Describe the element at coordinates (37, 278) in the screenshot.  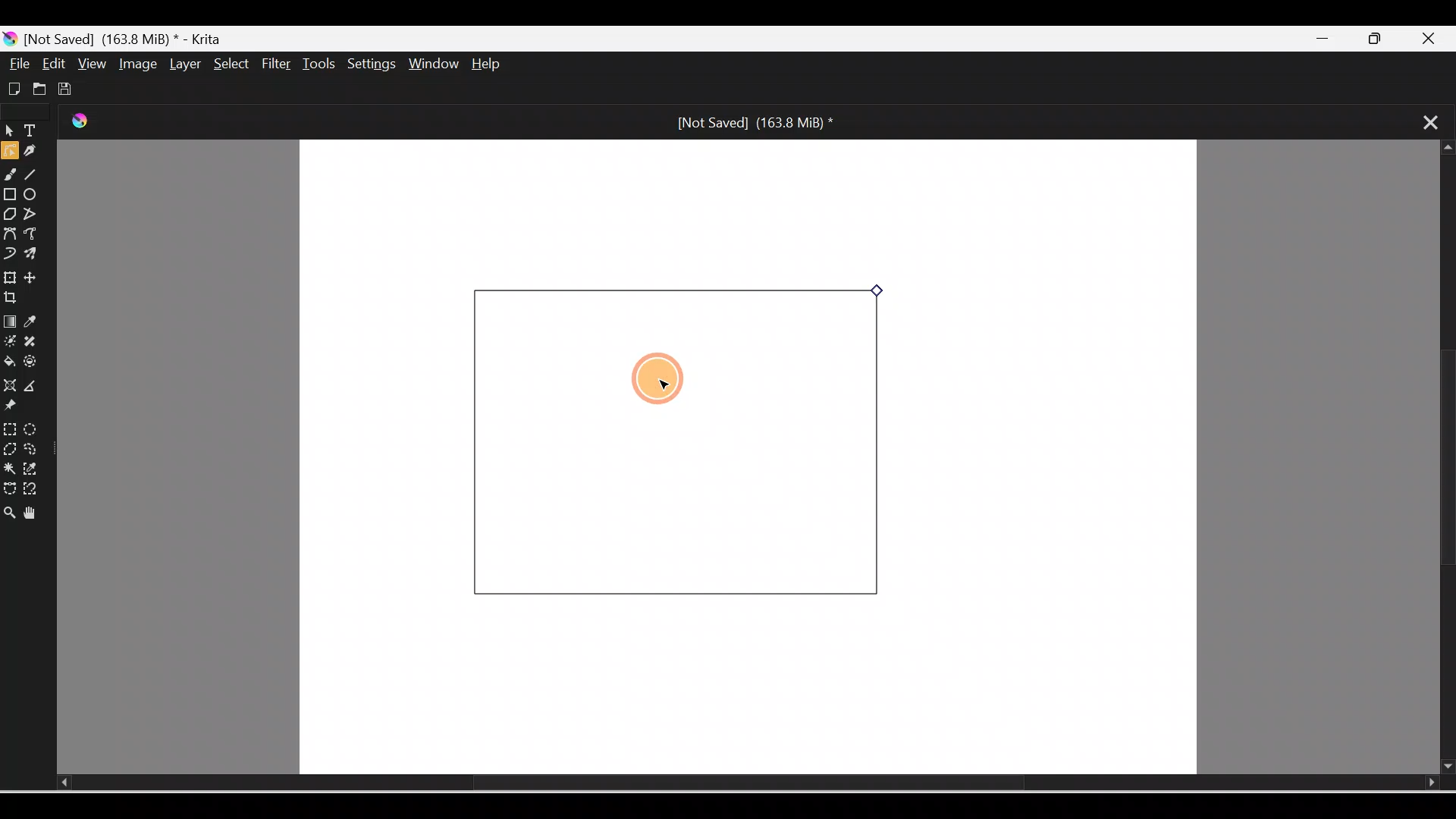
I see `Move a layer` at that location.